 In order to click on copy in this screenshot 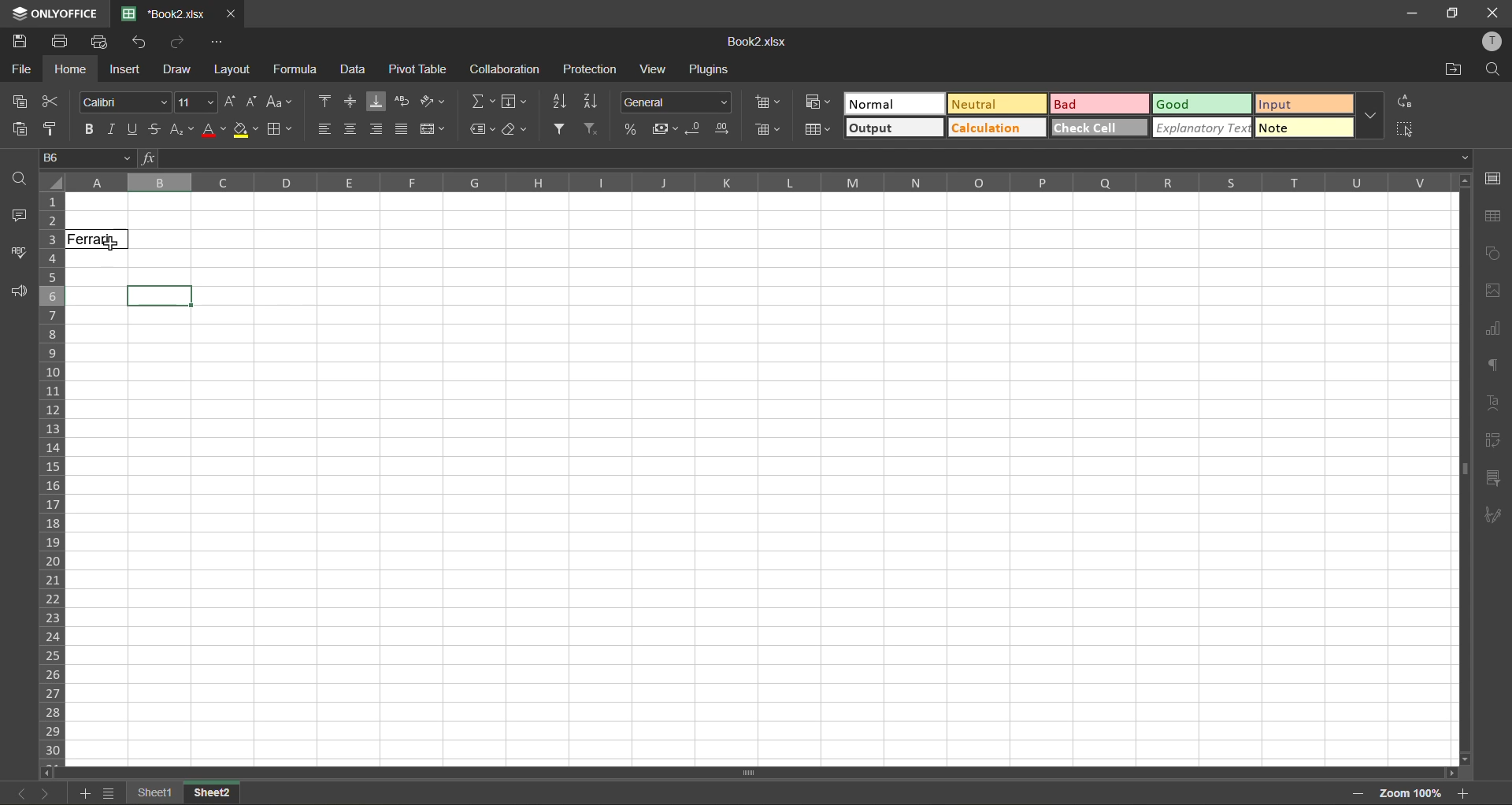, I will do `click(20, 102)`.